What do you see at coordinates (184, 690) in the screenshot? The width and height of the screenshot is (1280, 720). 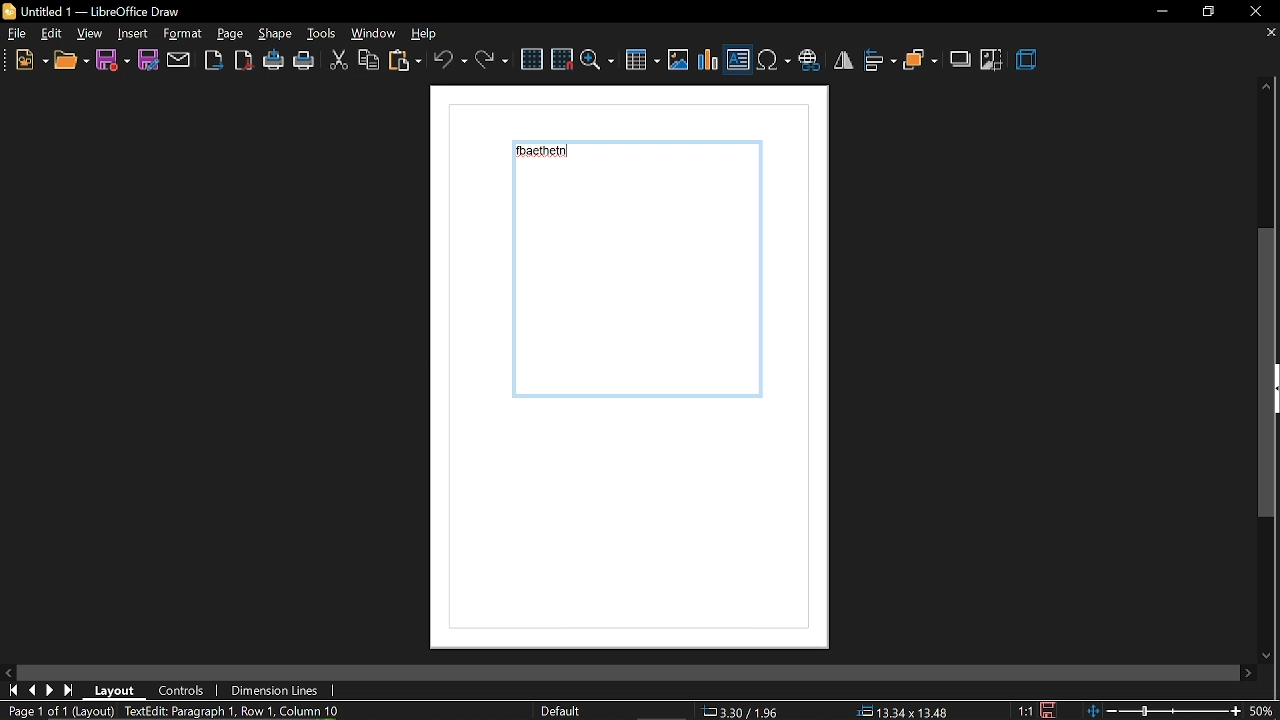 I see `controls` at bounding box center [184, 690].